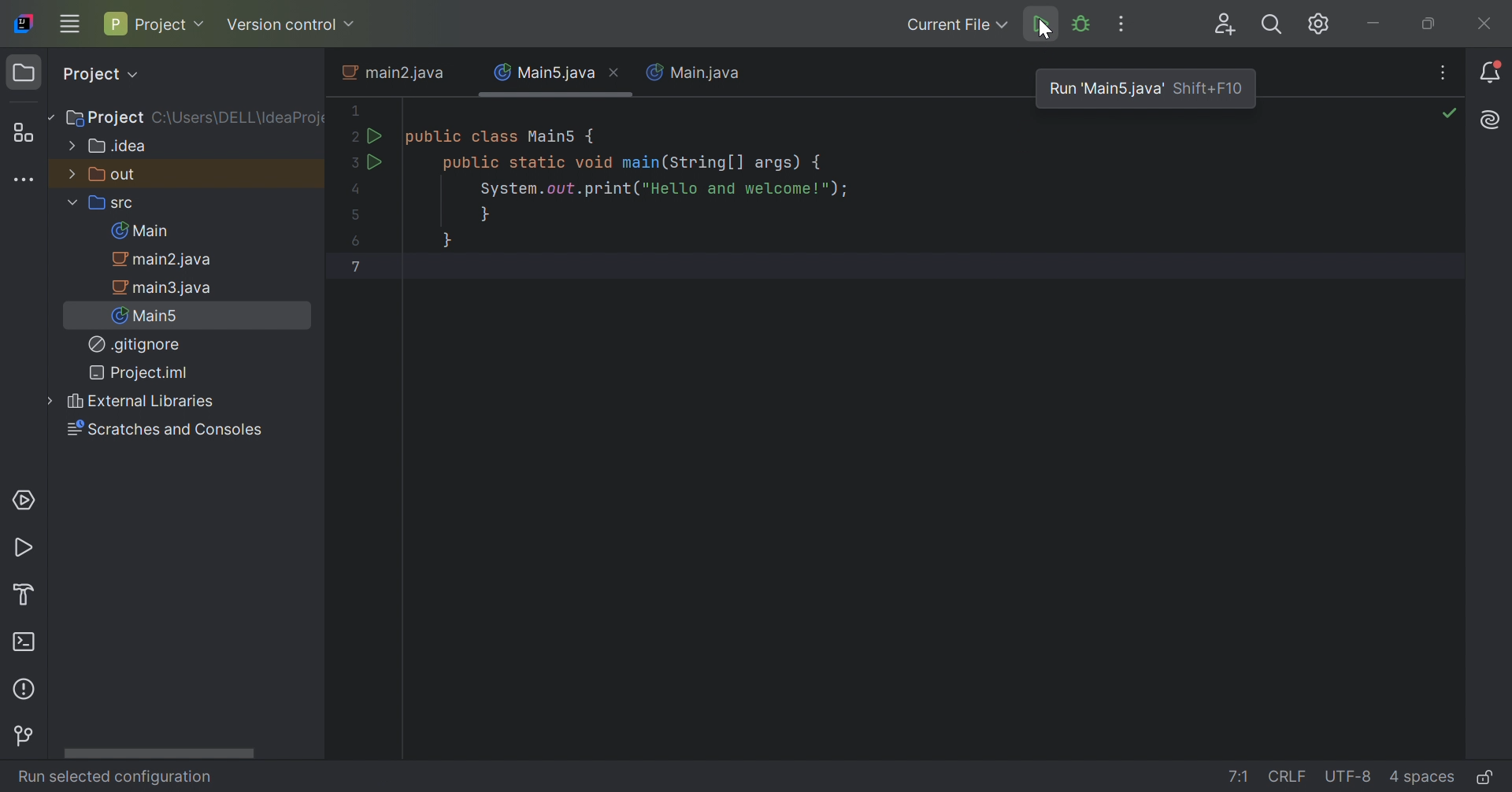 This screenshot has width=1512, height=792. What do you see at coordinates (24, 596) in the screenshot?
I see `Build` at bounding box center [24, 596].